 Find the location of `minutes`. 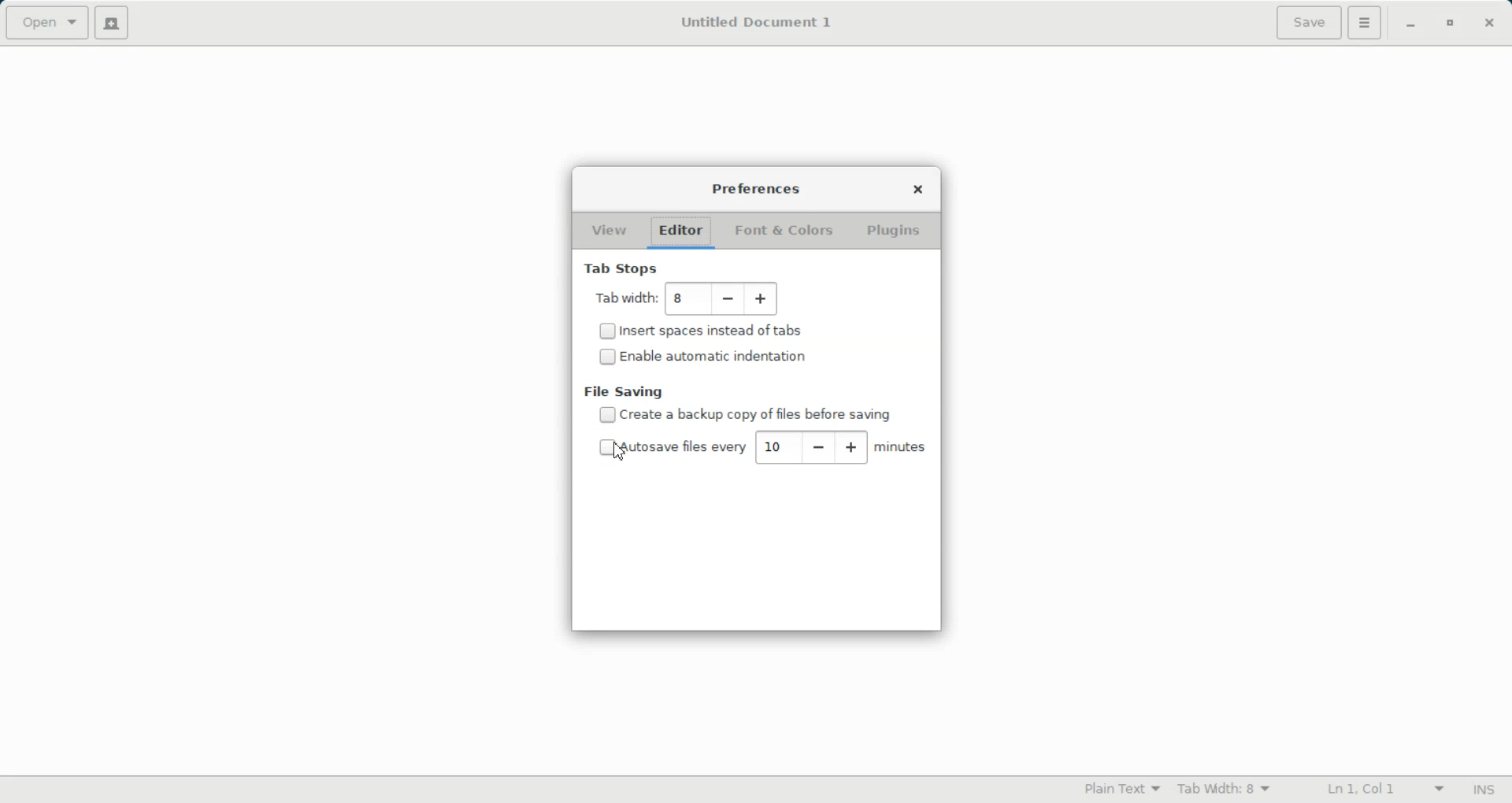

minutes is located at coordinates (902, 447).